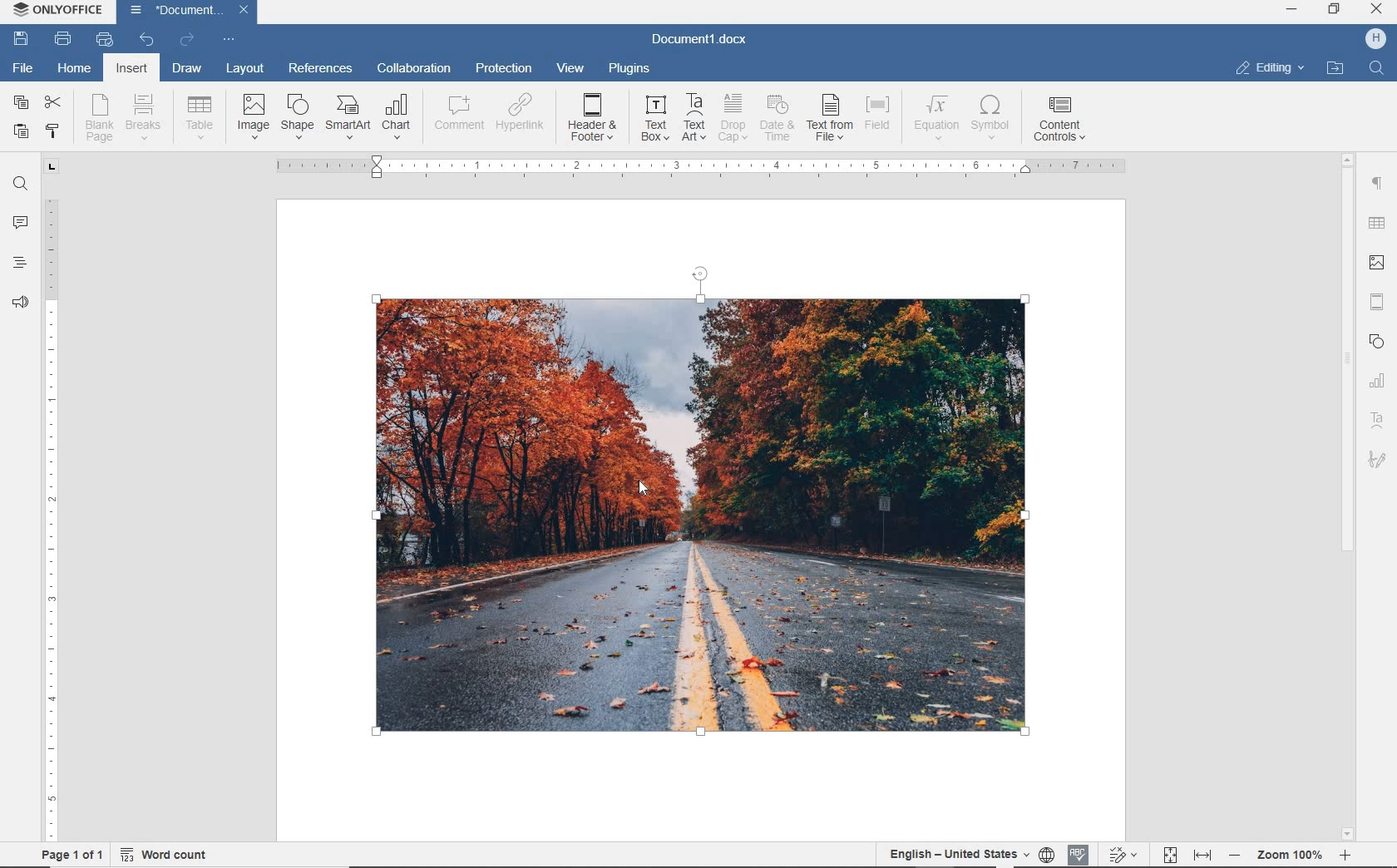 The width and height of the screenshot is (1397, 868). What do you see at coordinates (398, 117) in the screenshot?
I see `chart` at bounding box center [398, 117].